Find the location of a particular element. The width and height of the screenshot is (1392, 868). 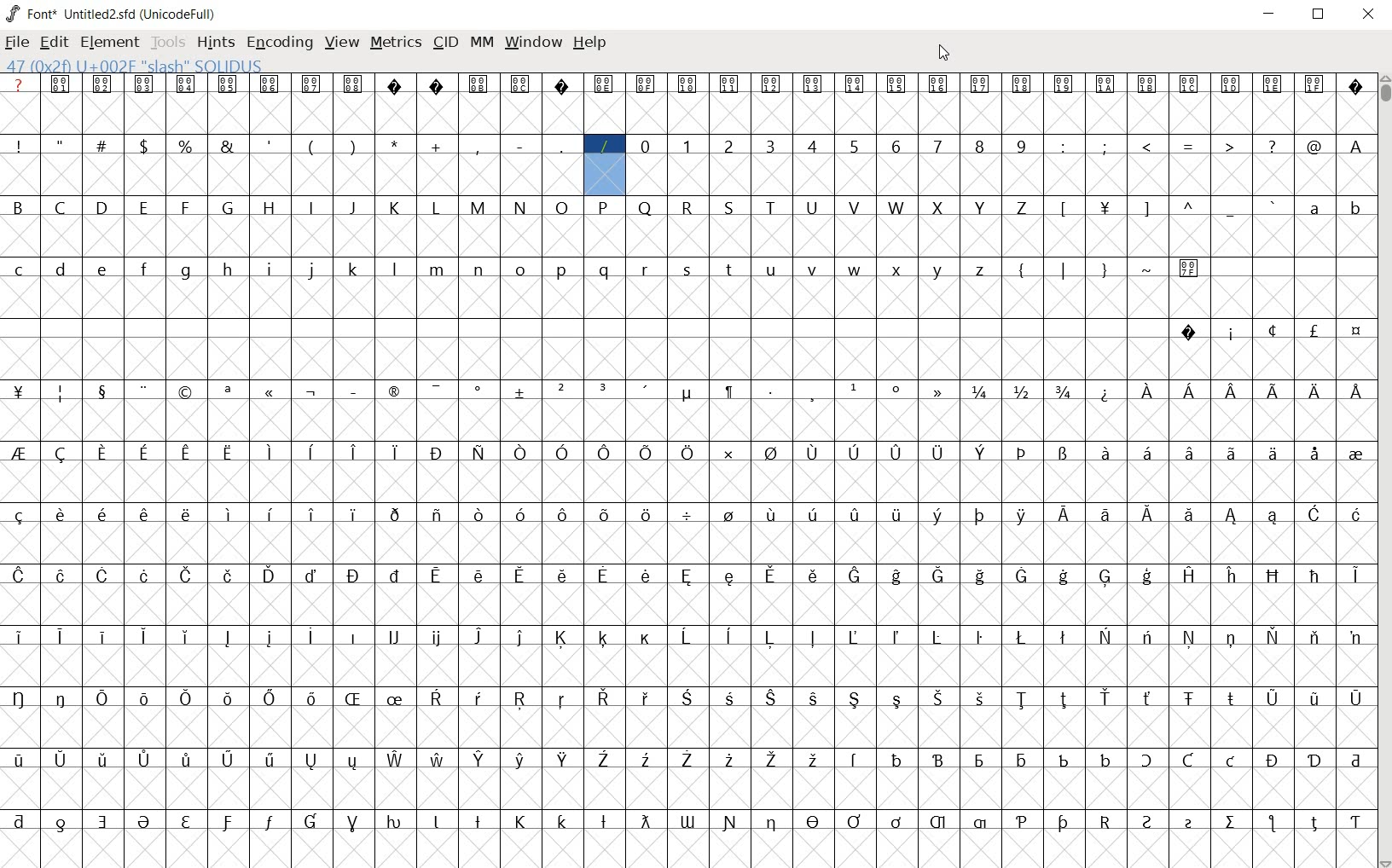

CID is located at coordinates (445, 43).